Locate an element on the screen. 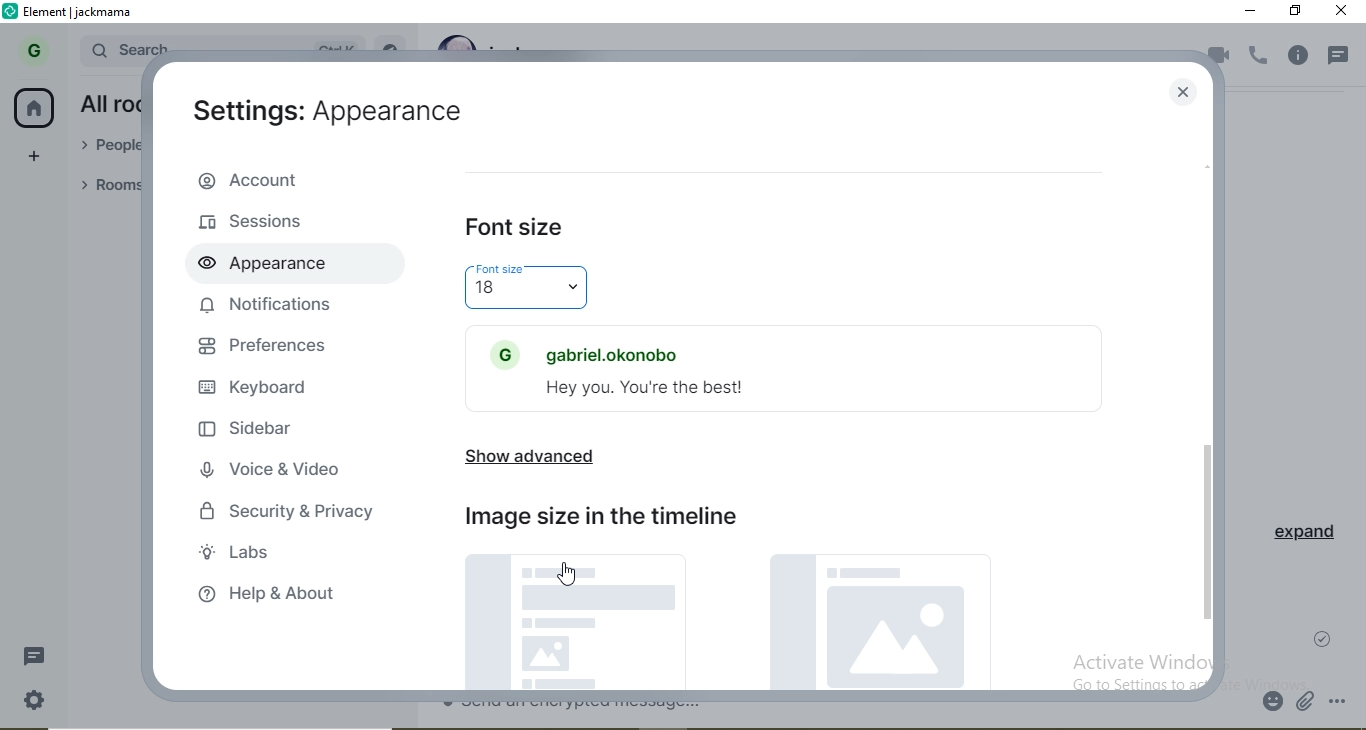 The height and width of the screenshot is (730, 1366). appearance is located at coordinates (269, 261).